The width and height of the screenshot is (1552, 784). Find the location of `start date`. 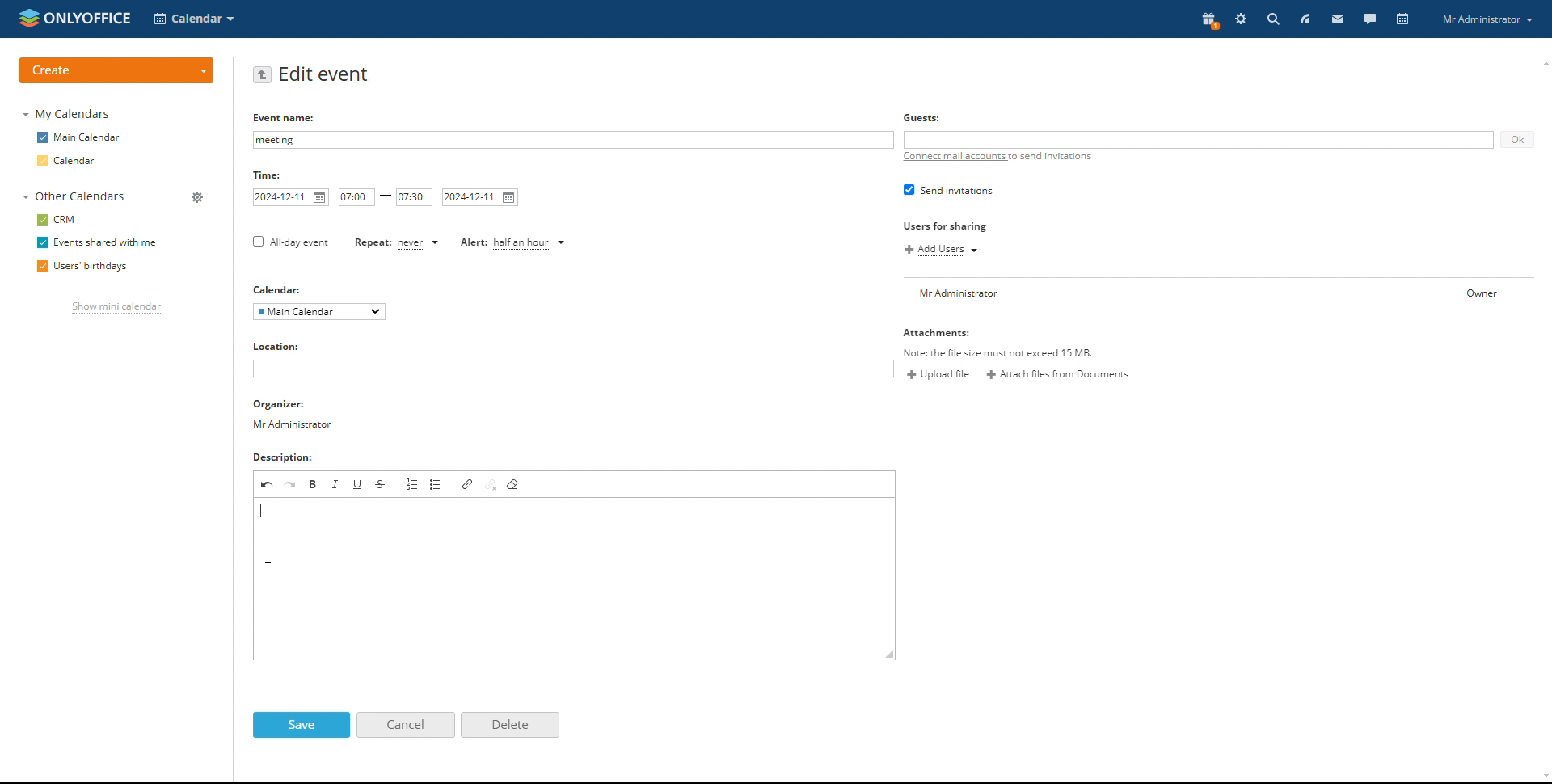

start date is located at coordinates (291, 198).